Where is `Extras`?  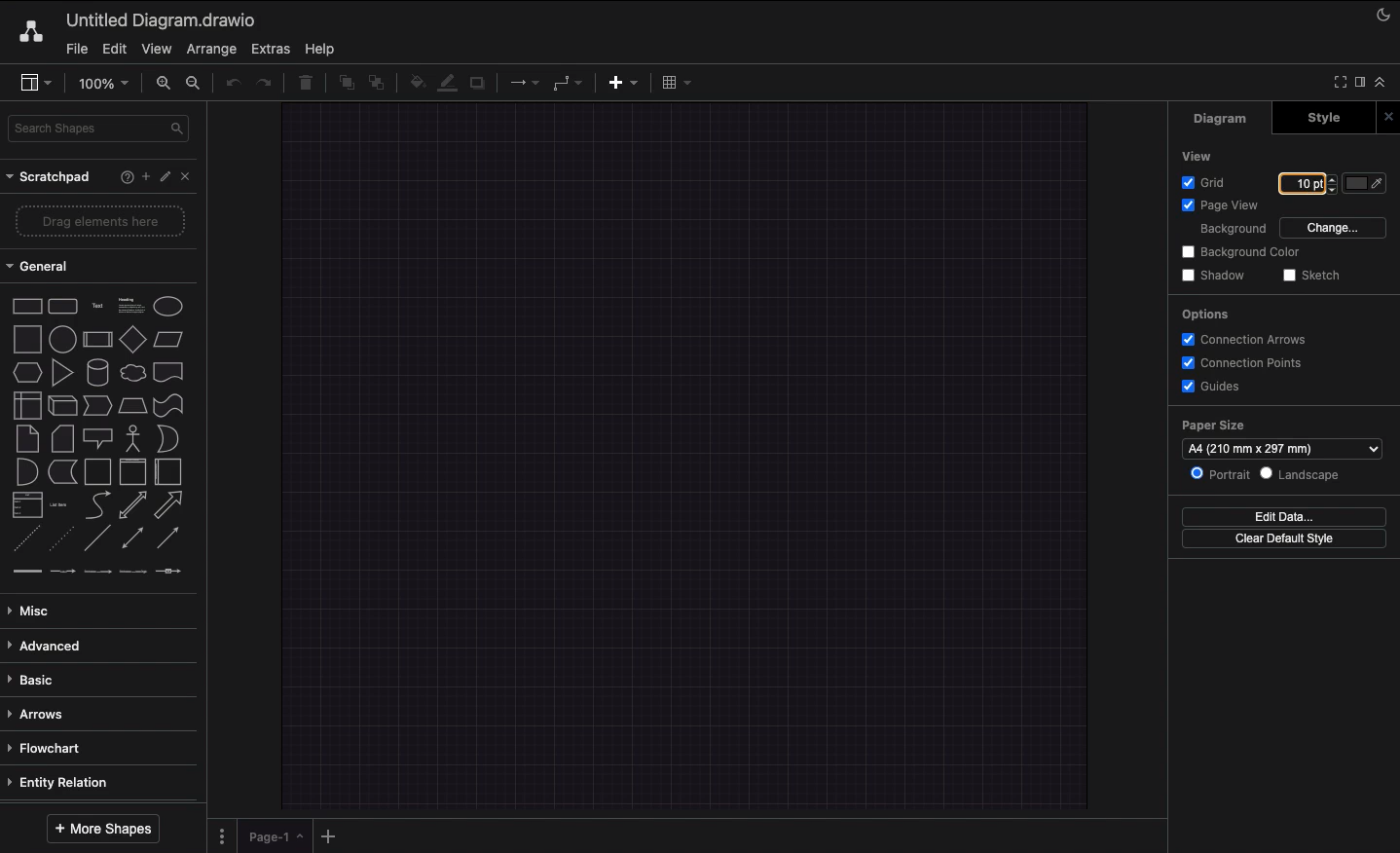 Extras is located at coordinates (273, 49).